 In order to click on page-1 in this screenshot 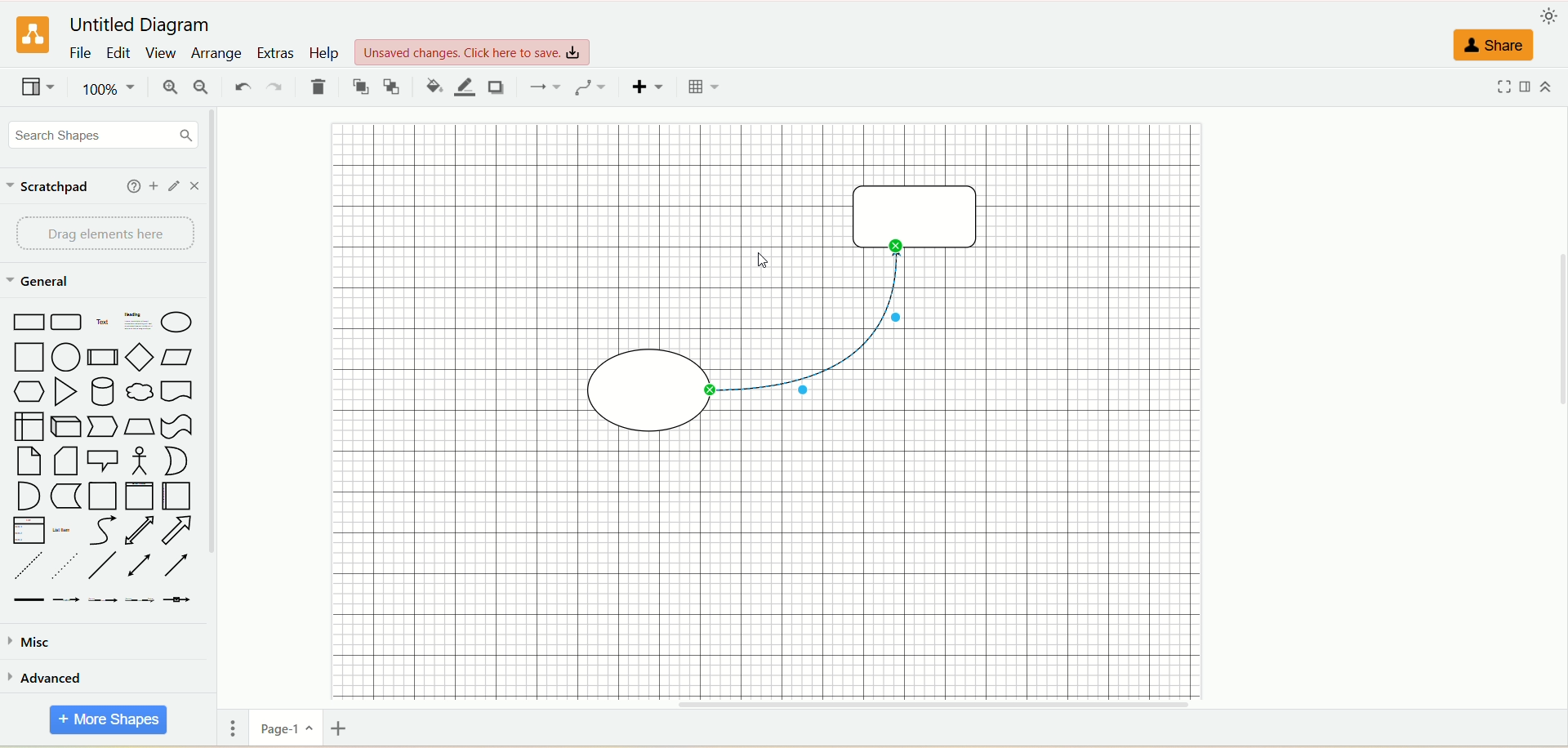, I will do `click(283, 728)`.